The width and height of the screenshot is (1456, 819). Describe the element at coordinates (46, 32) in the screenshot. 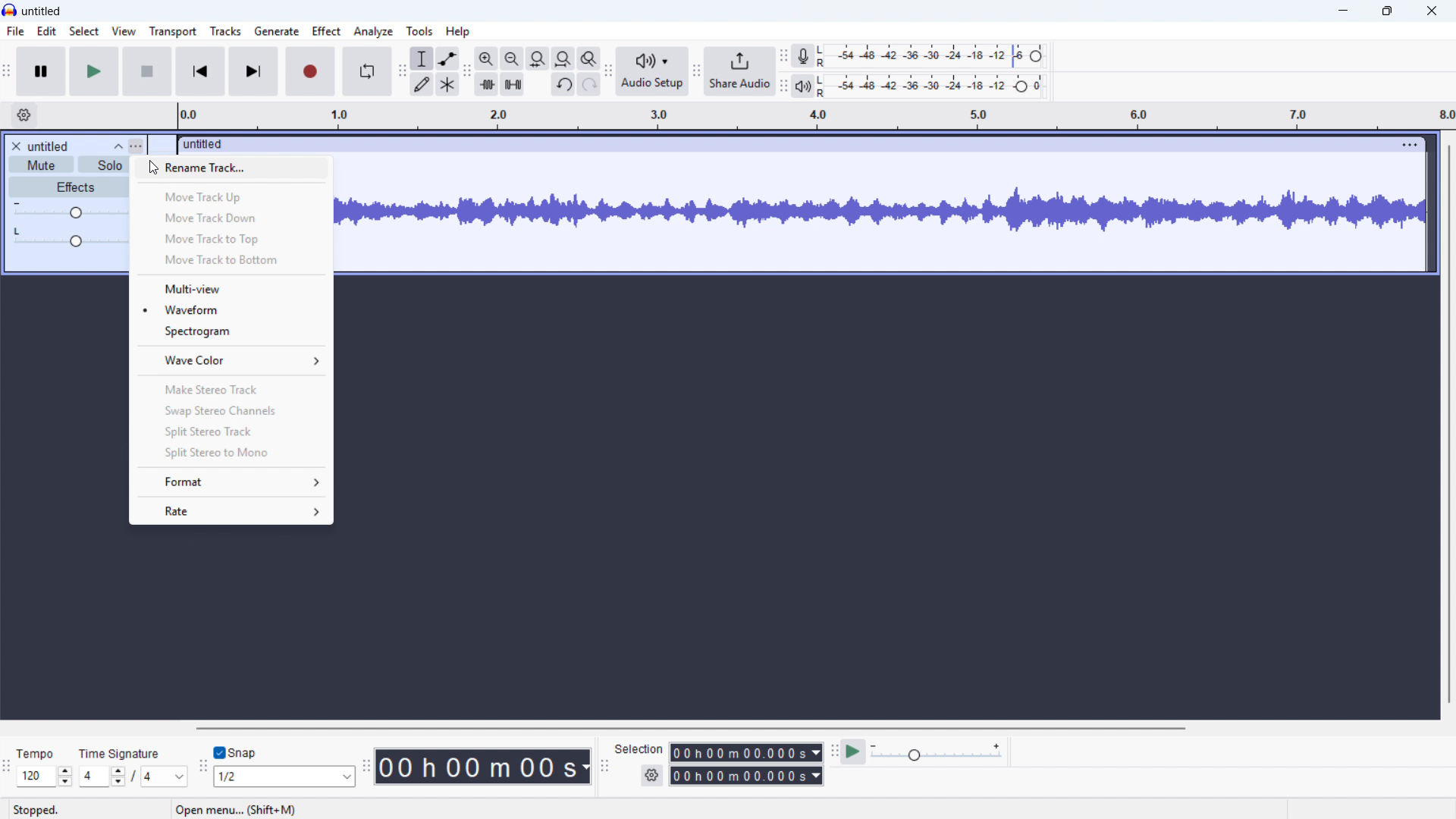

I see `Edit ` at that location.